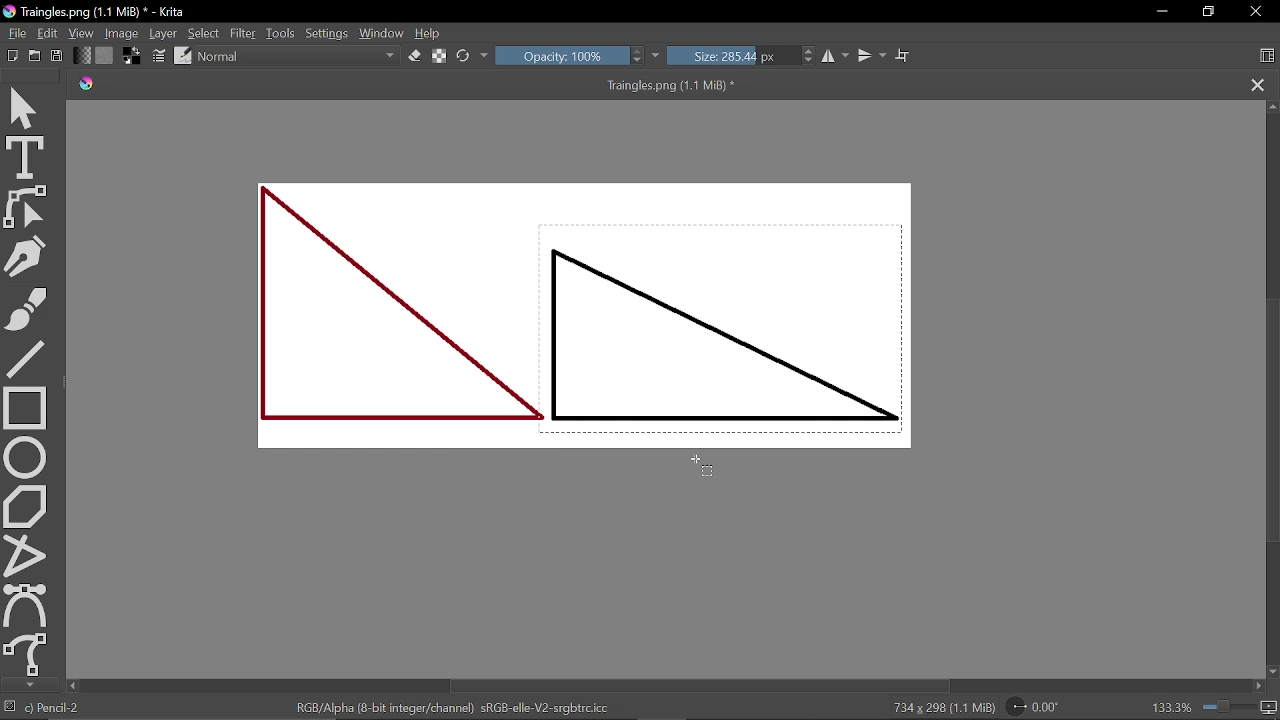 This screenshot has height=720, width=1280. What do you see at coordinates (26, 305) in the screenshot?
I see `Freehand brush tool` at bounding box center [26, 305].